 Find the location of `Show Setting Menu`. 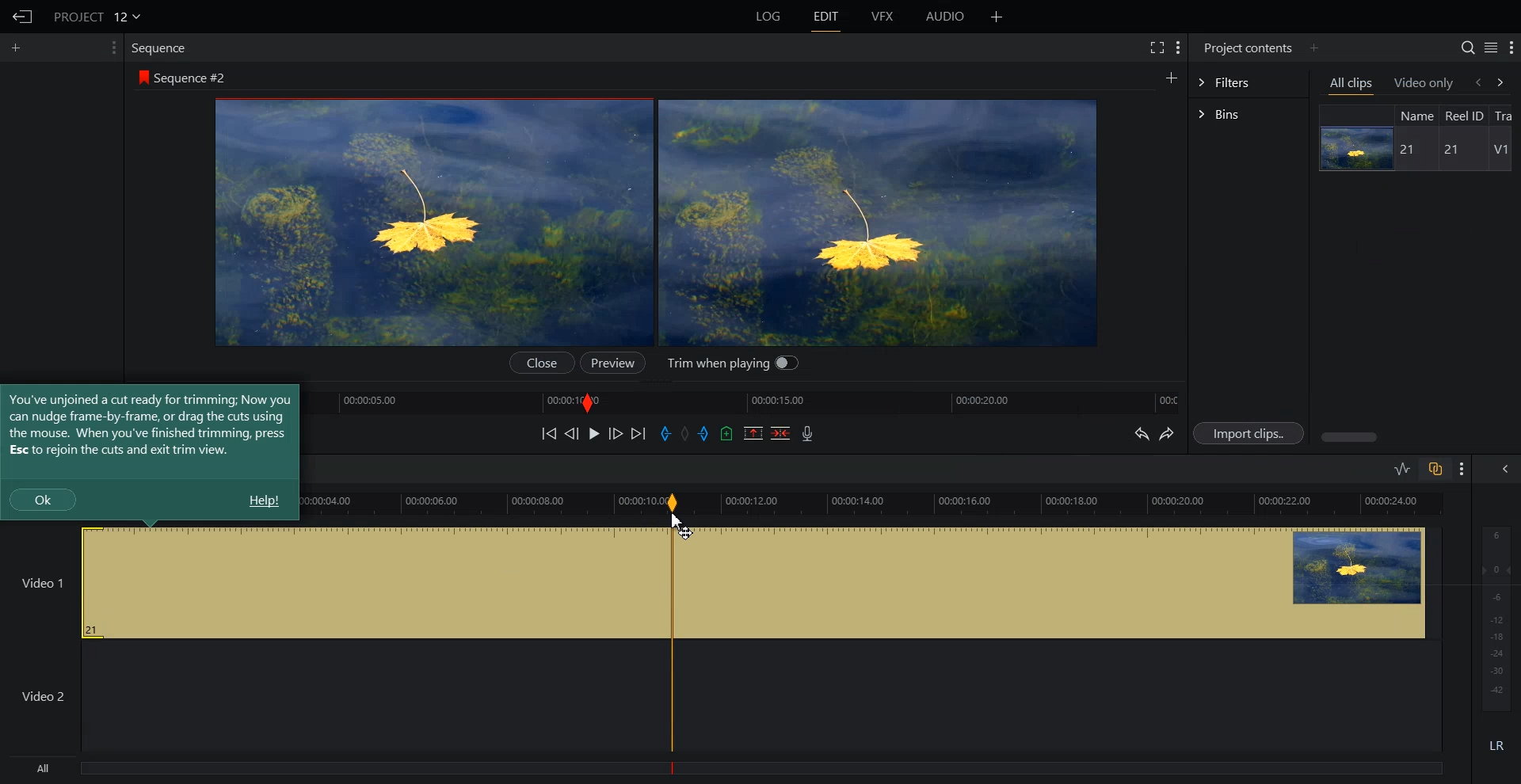

Show Setting Menu is located at coordinates (1462, 470).